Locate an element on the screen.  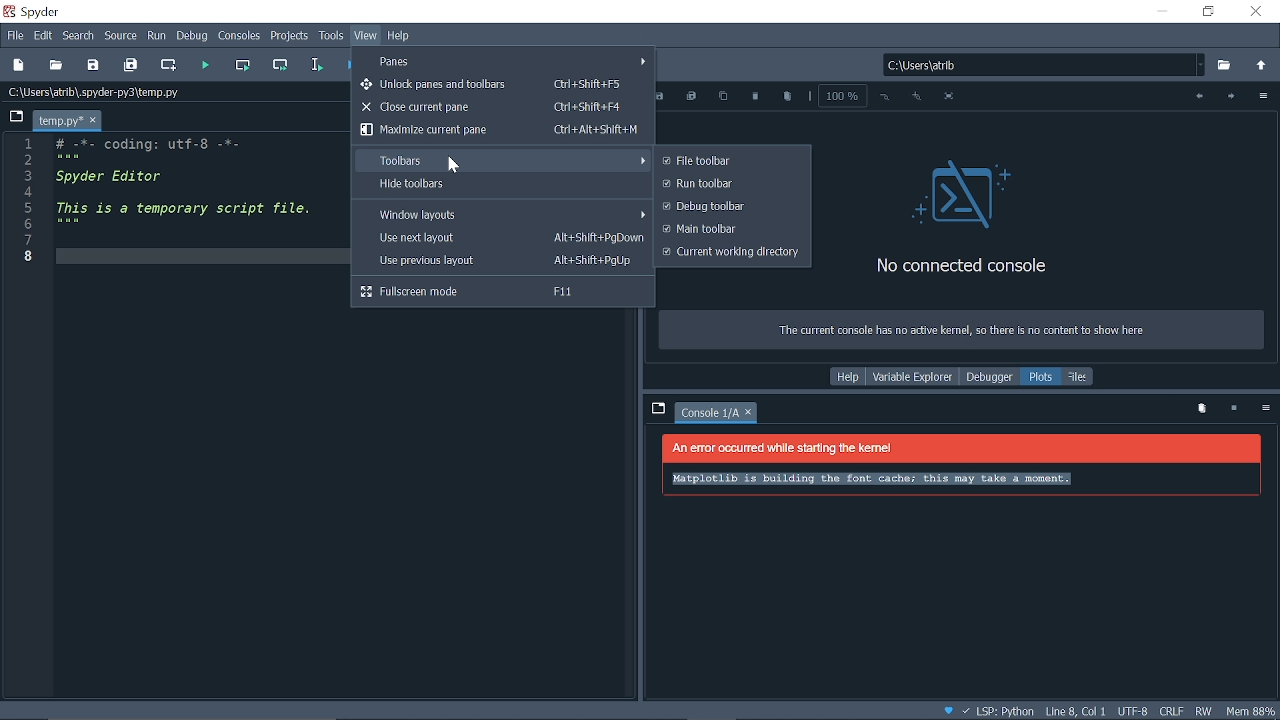
Use next layout is located at coordinates (501, 238).